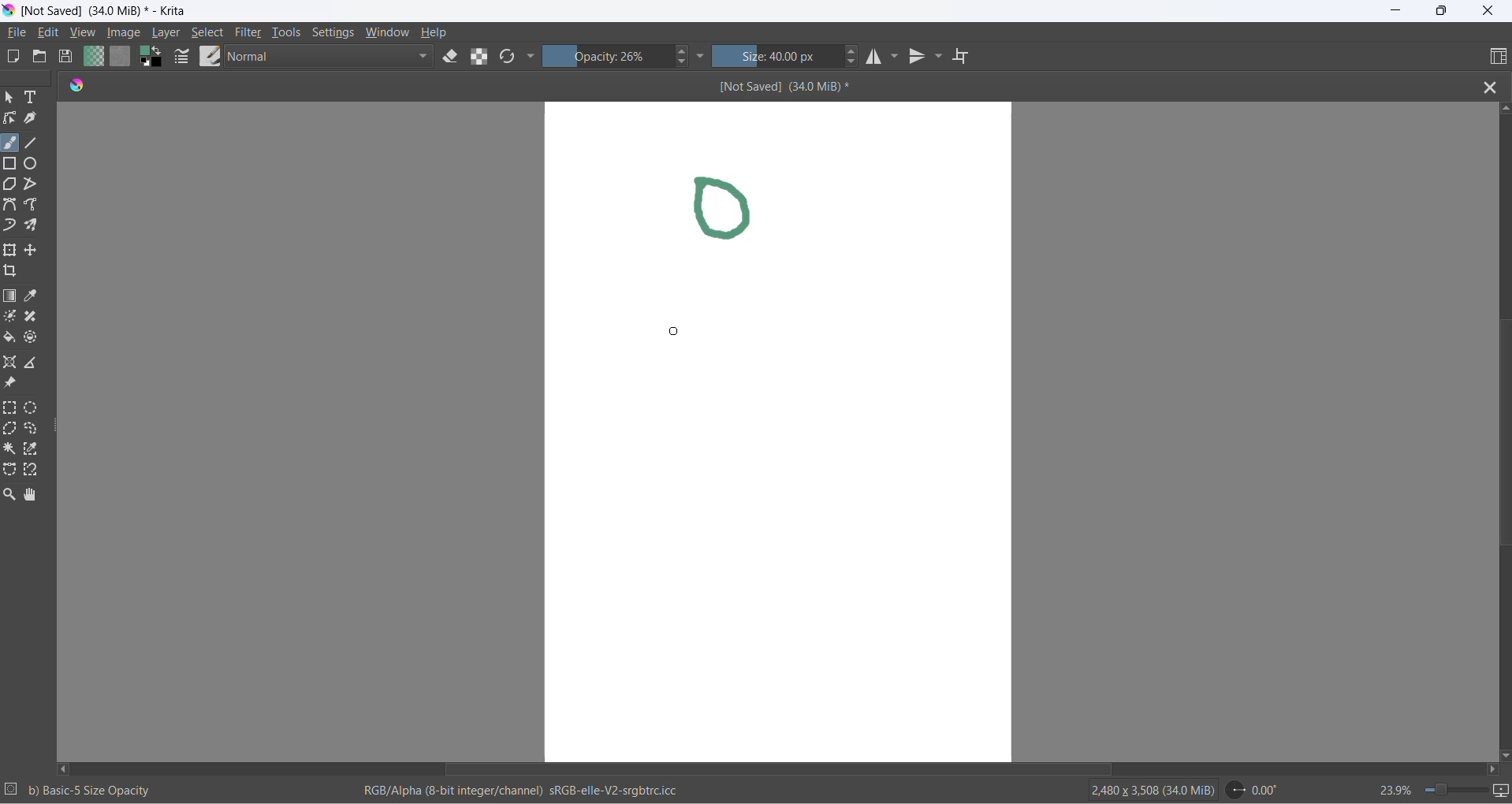  I want to click on polyline tool, so click(35, 184).